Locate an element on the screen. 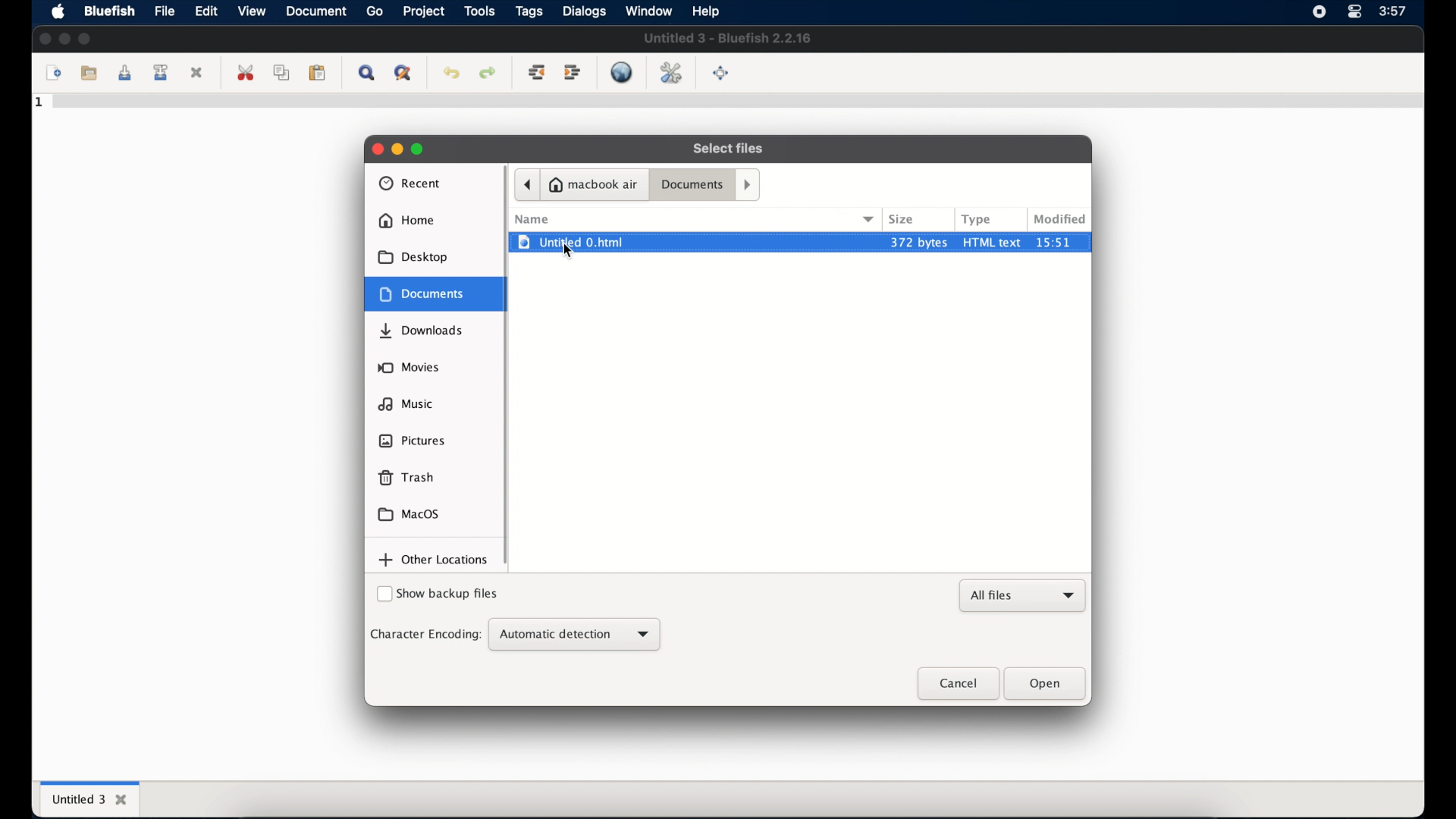 This screenshot has width=1456, height=819. select files is located at coordinates (730, 149).